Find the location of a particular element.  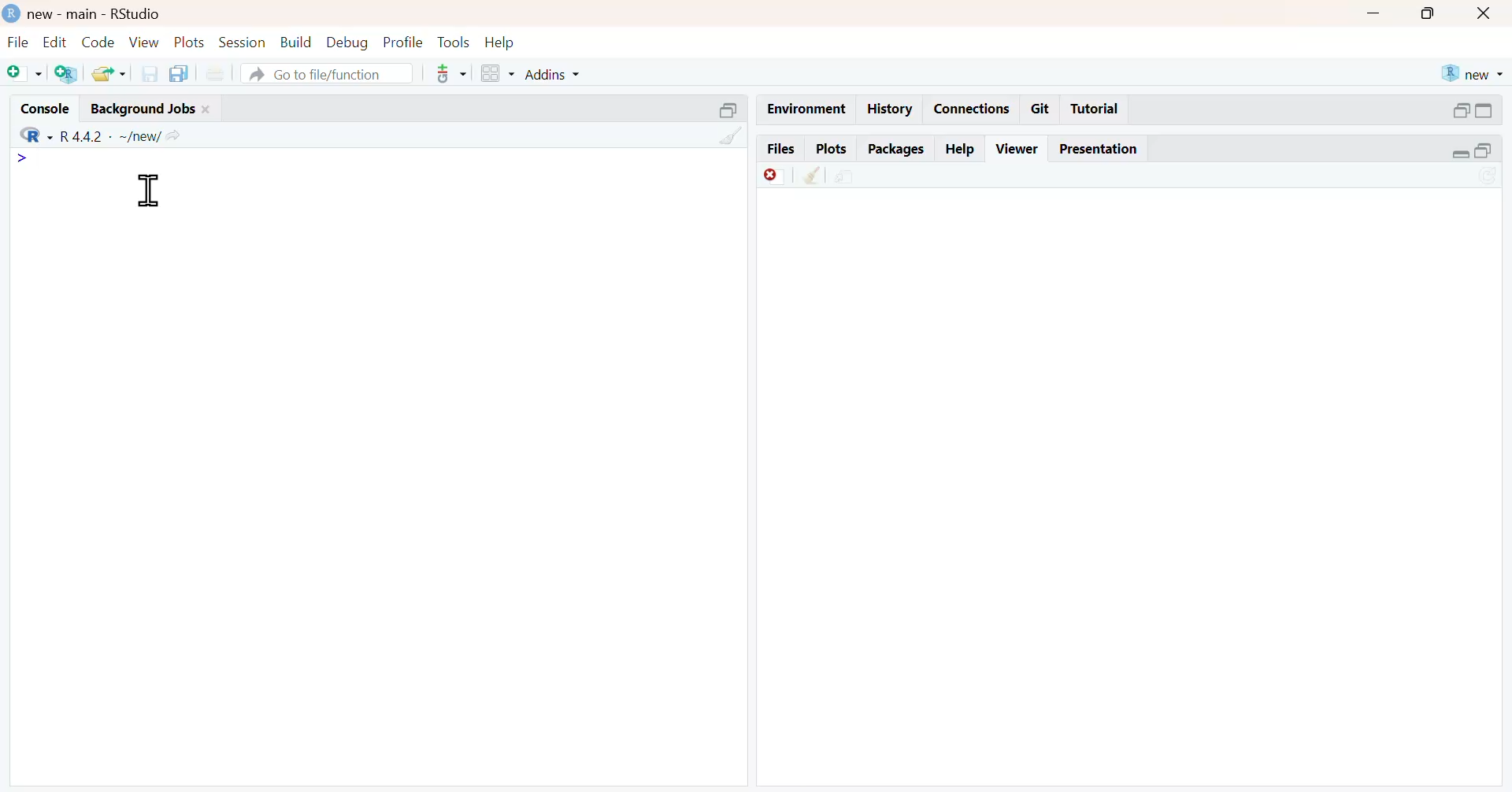

minimize is located at coordinates (1458, 155).